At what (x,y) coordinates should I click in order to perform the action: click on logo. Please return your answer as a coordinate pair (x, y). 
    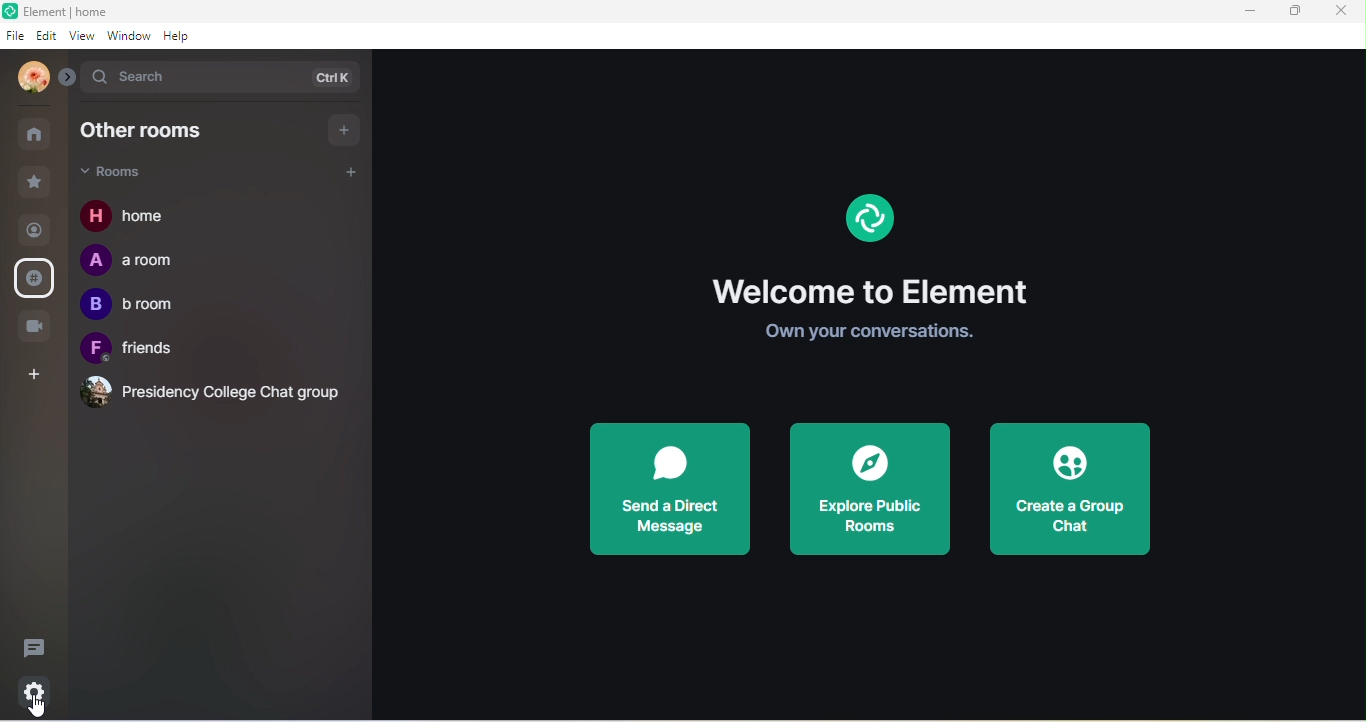
    Looking at the image, I should click on (10, 12).